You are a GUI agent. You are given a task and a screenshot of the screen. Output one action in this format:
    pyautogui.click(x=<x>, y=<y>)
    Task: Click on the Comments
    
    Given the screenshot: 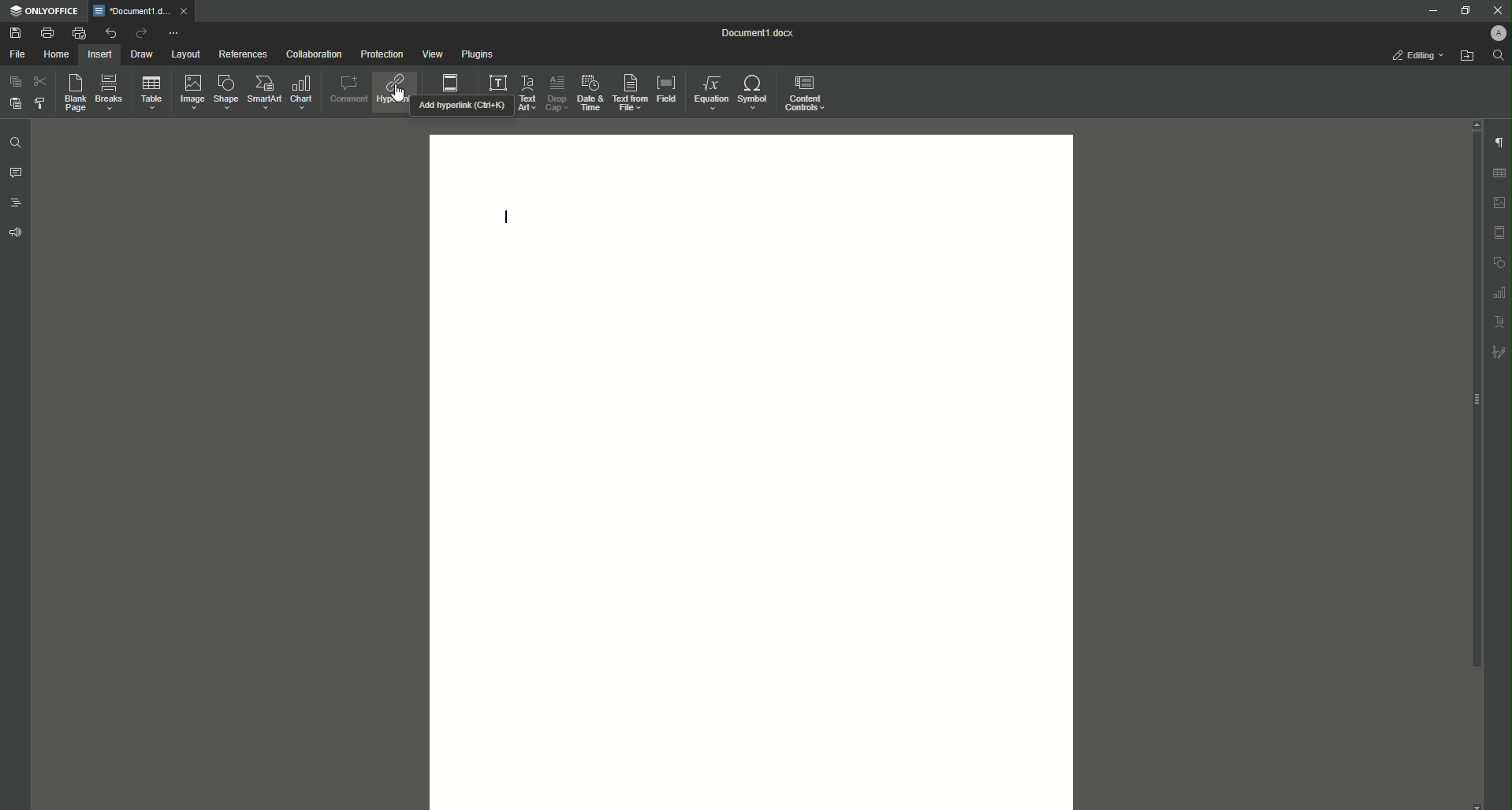 What is the action you would take?
    pyautogui.click(x=16, y=173)
    